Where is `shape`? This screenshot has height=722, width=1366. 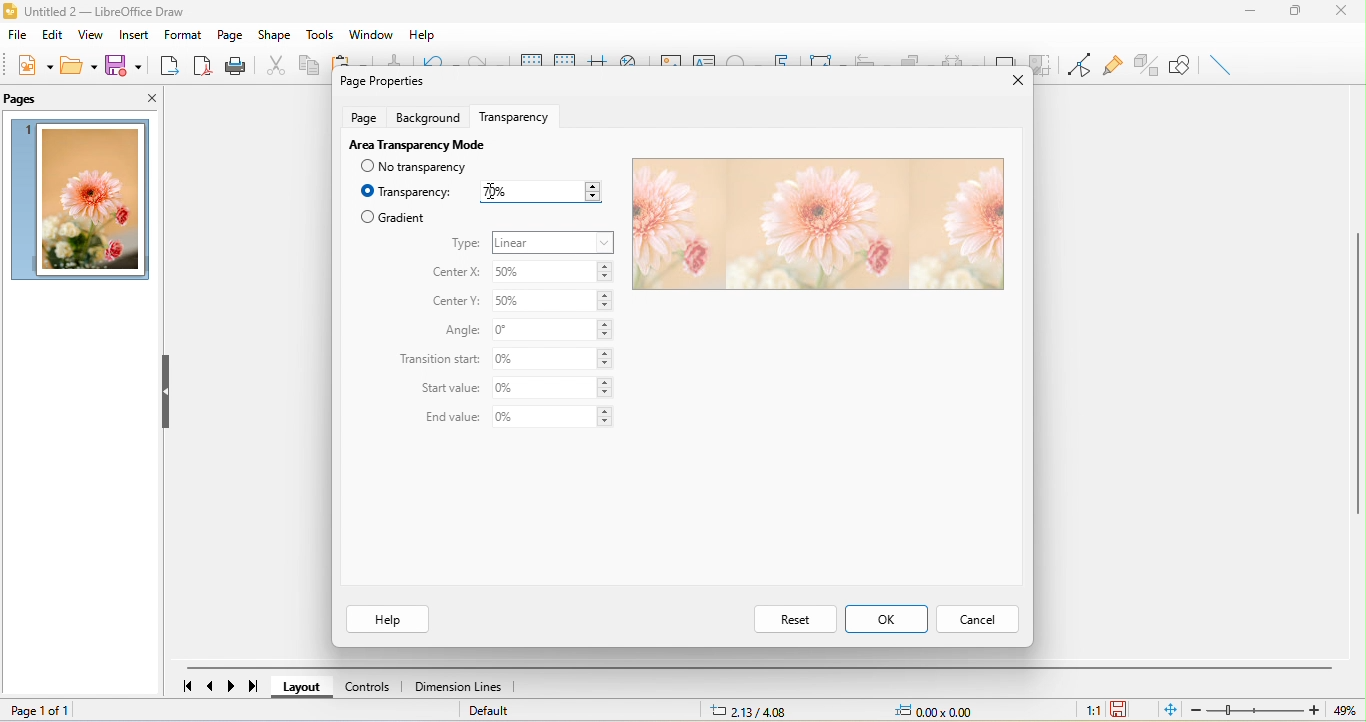
shape is located at coordinates (274, 36).